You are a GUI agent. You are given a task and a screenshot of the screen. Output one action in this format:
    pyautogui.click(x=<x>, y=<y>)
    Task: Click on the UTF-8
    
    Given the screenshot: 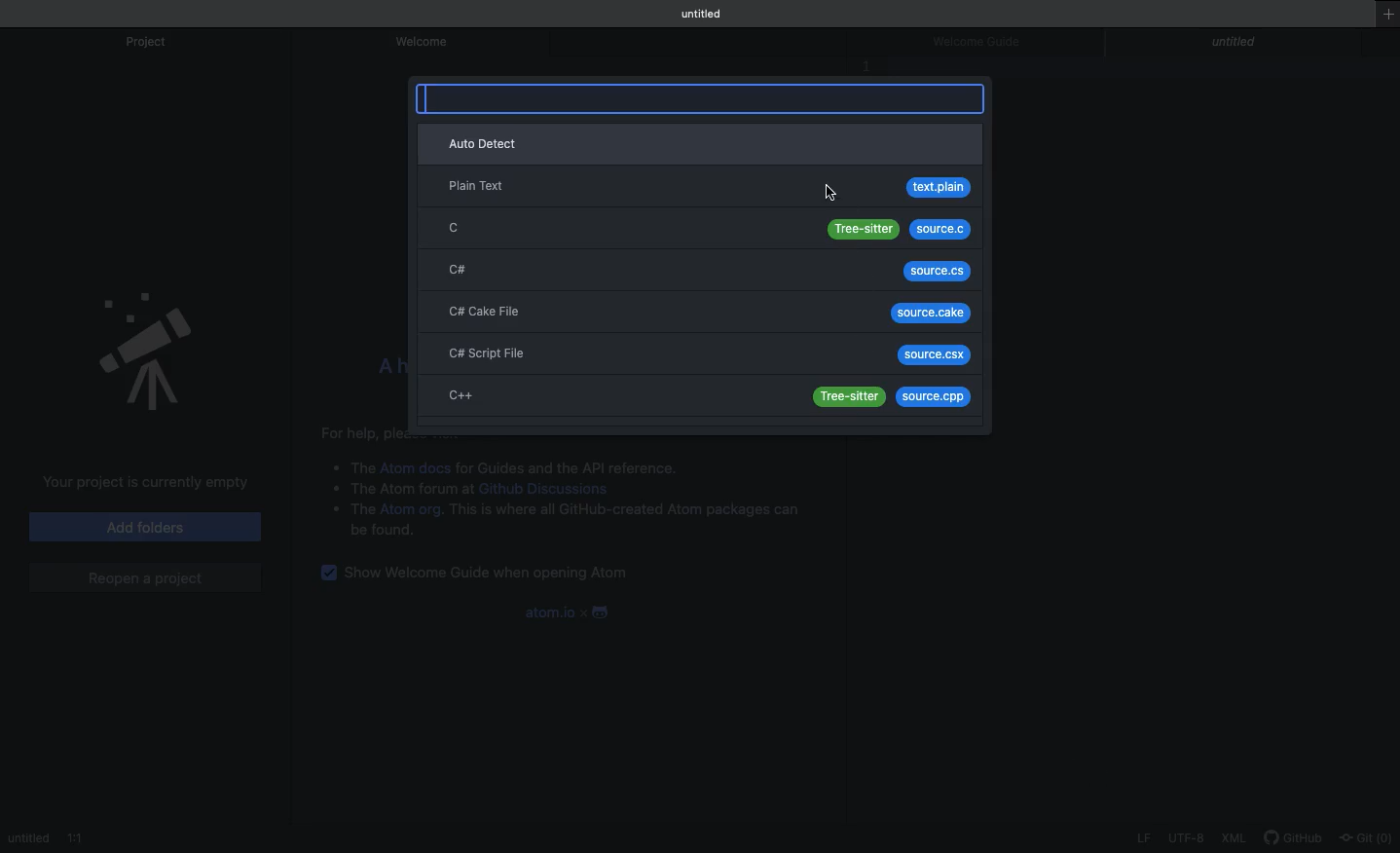 What is the action you would take?
    pyautogui.click(x=1188, y=836)
    